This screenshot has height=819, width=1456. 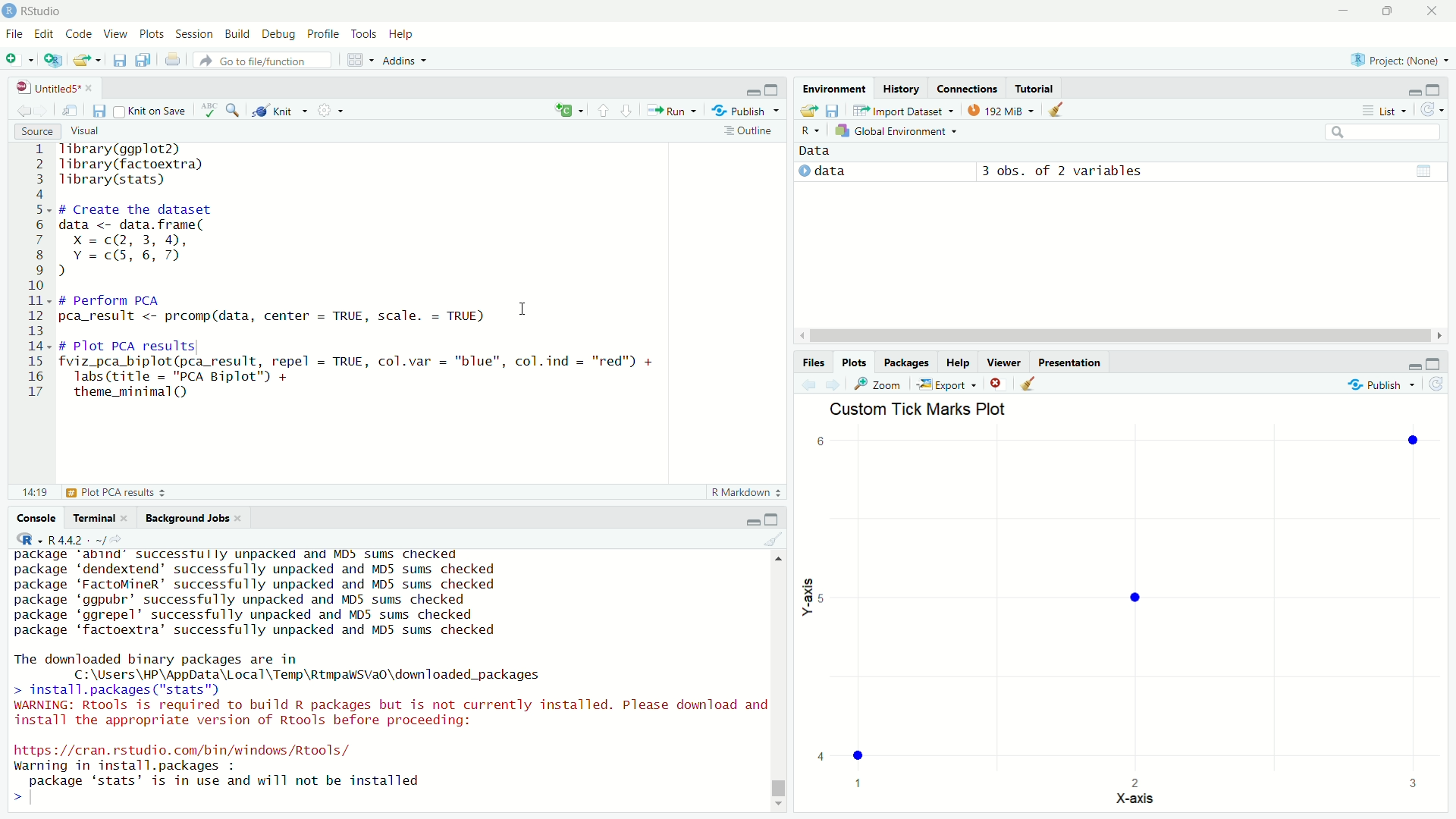 What do you see at coordinates (117, 35) in the screenshot?
I see `View` at bounding box center [117, 35].